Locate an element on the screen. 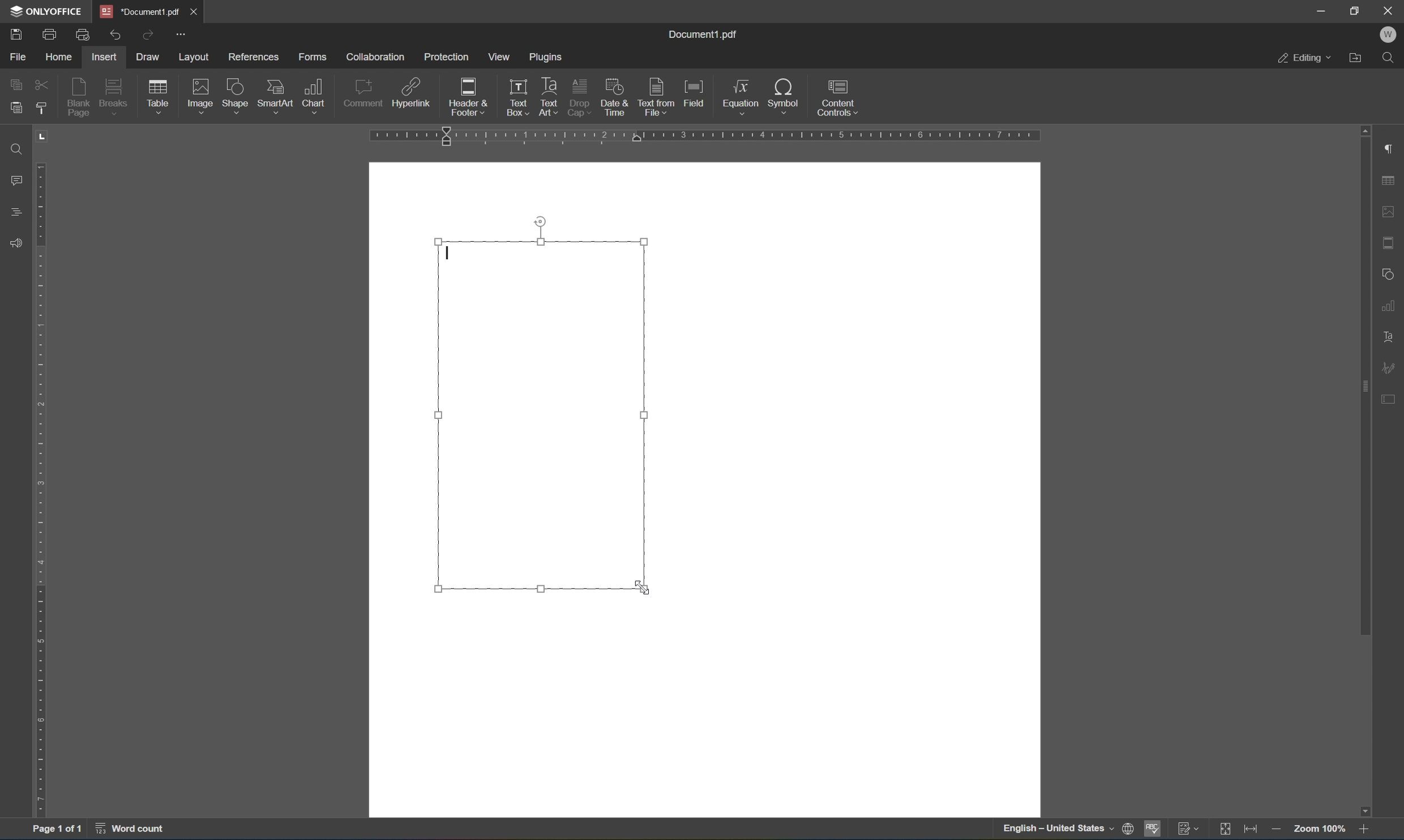 This screenshot has height=840, width=1404. fit to page is located at coordinates (1225, 830).